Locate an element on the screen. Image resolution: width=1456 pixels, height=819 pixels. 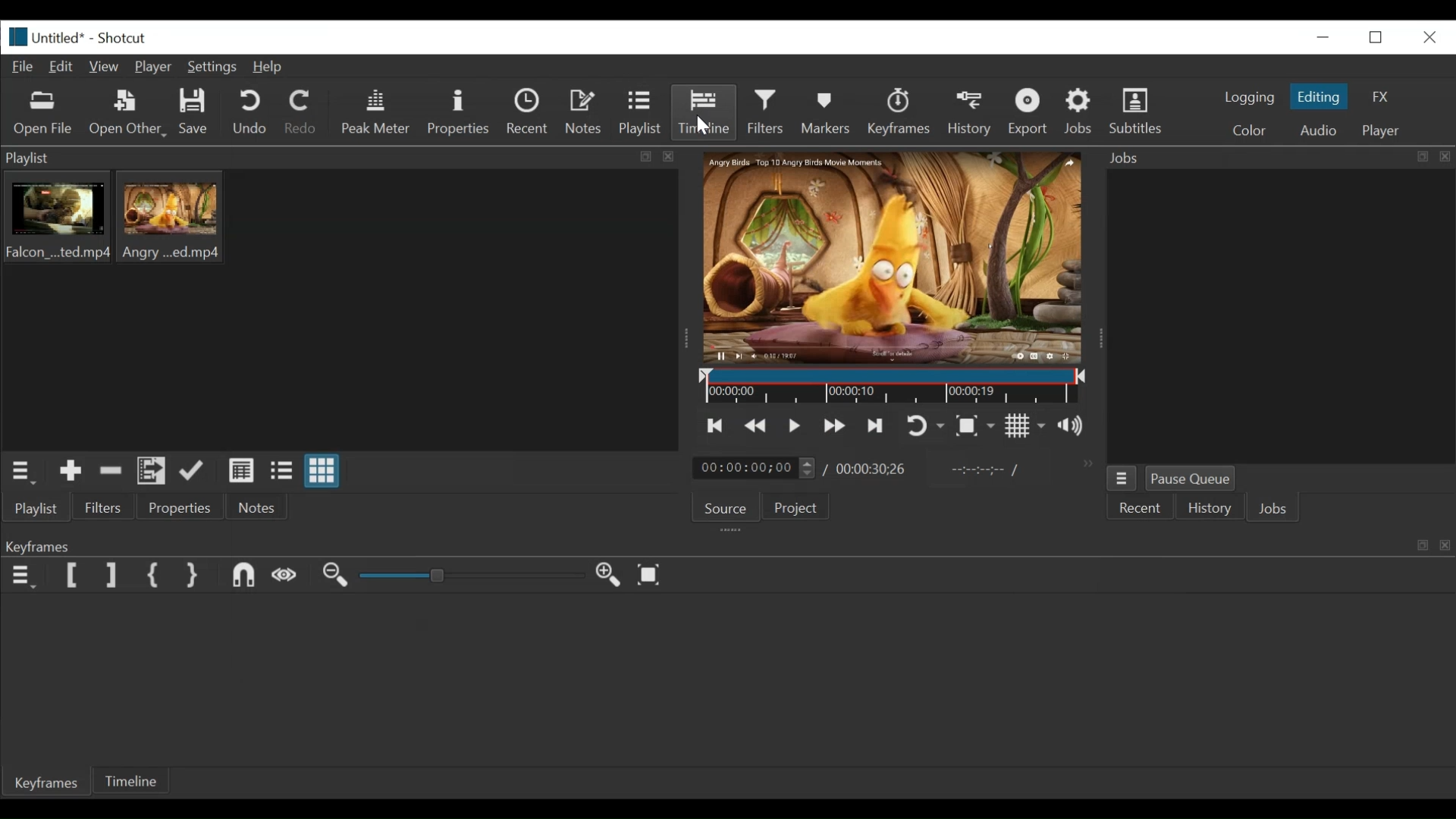
File name is located at coordinates (61, 39).